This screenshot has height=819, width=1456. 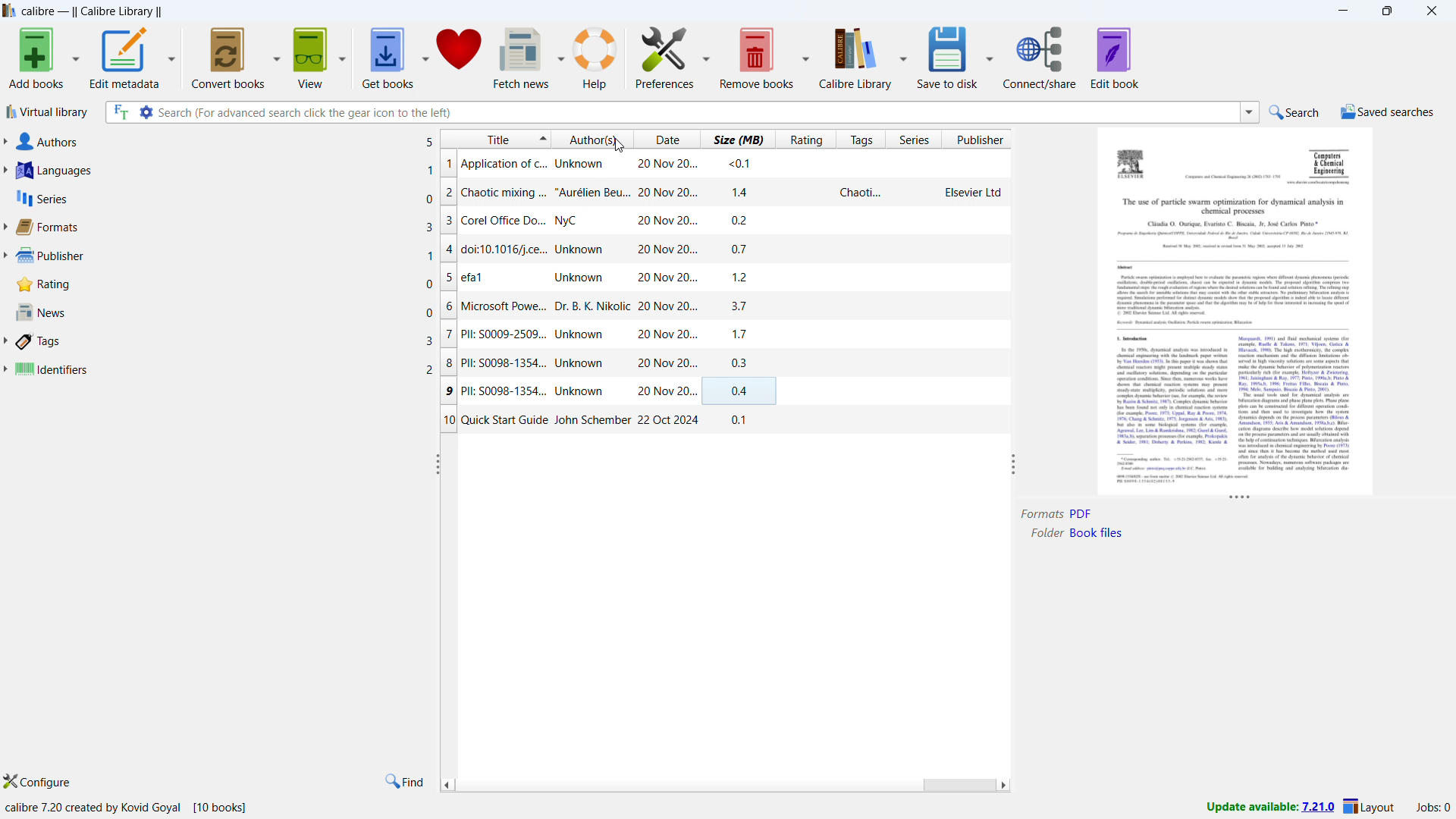 What do you see at coordinates (1238, 224) in the screenshot?
I see `` at bounding box center [1238, 224].